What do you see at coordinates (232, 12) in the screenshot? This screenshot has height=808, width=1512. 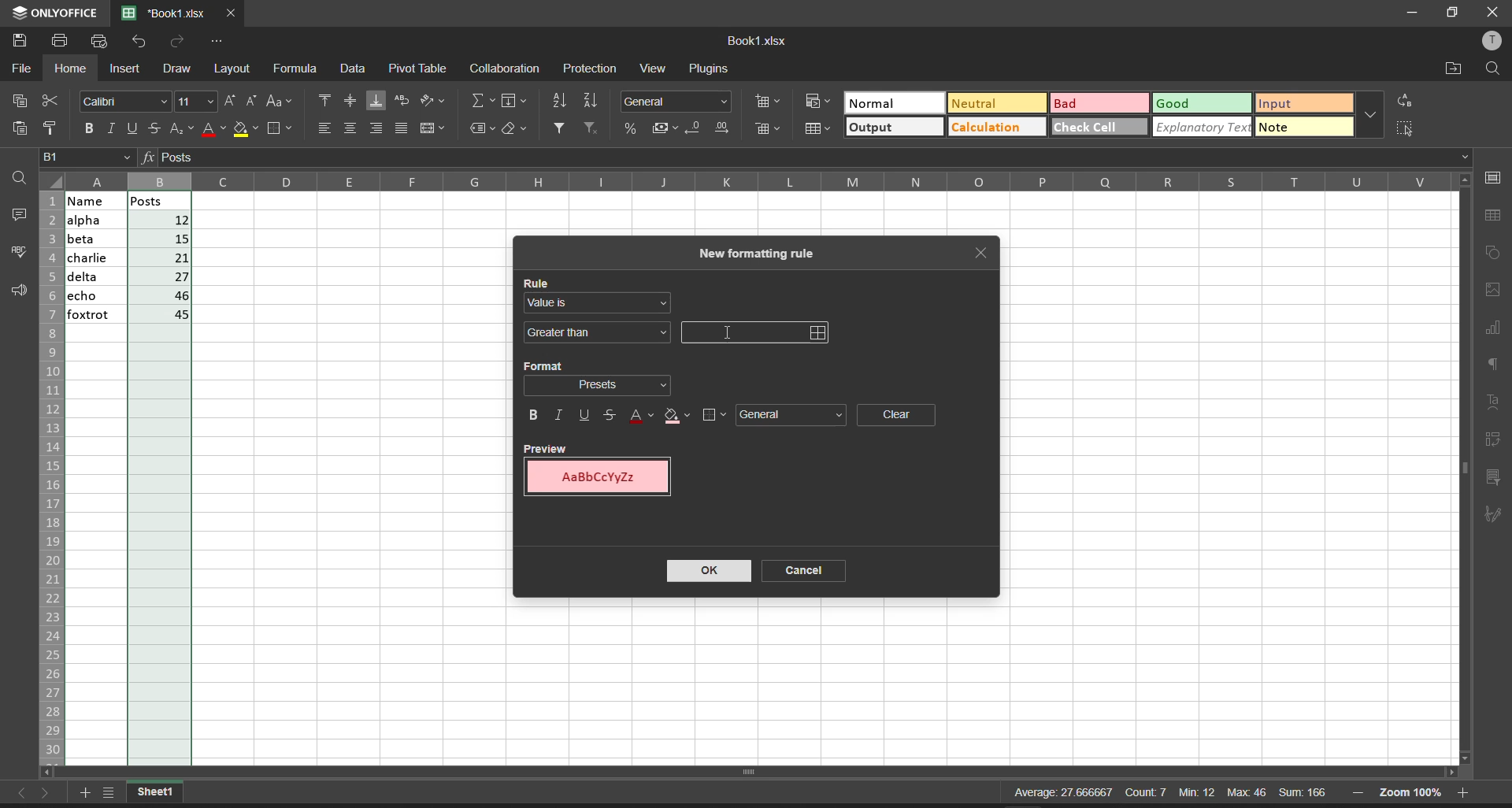 I see `close tab` at bounding box center [232, 12].